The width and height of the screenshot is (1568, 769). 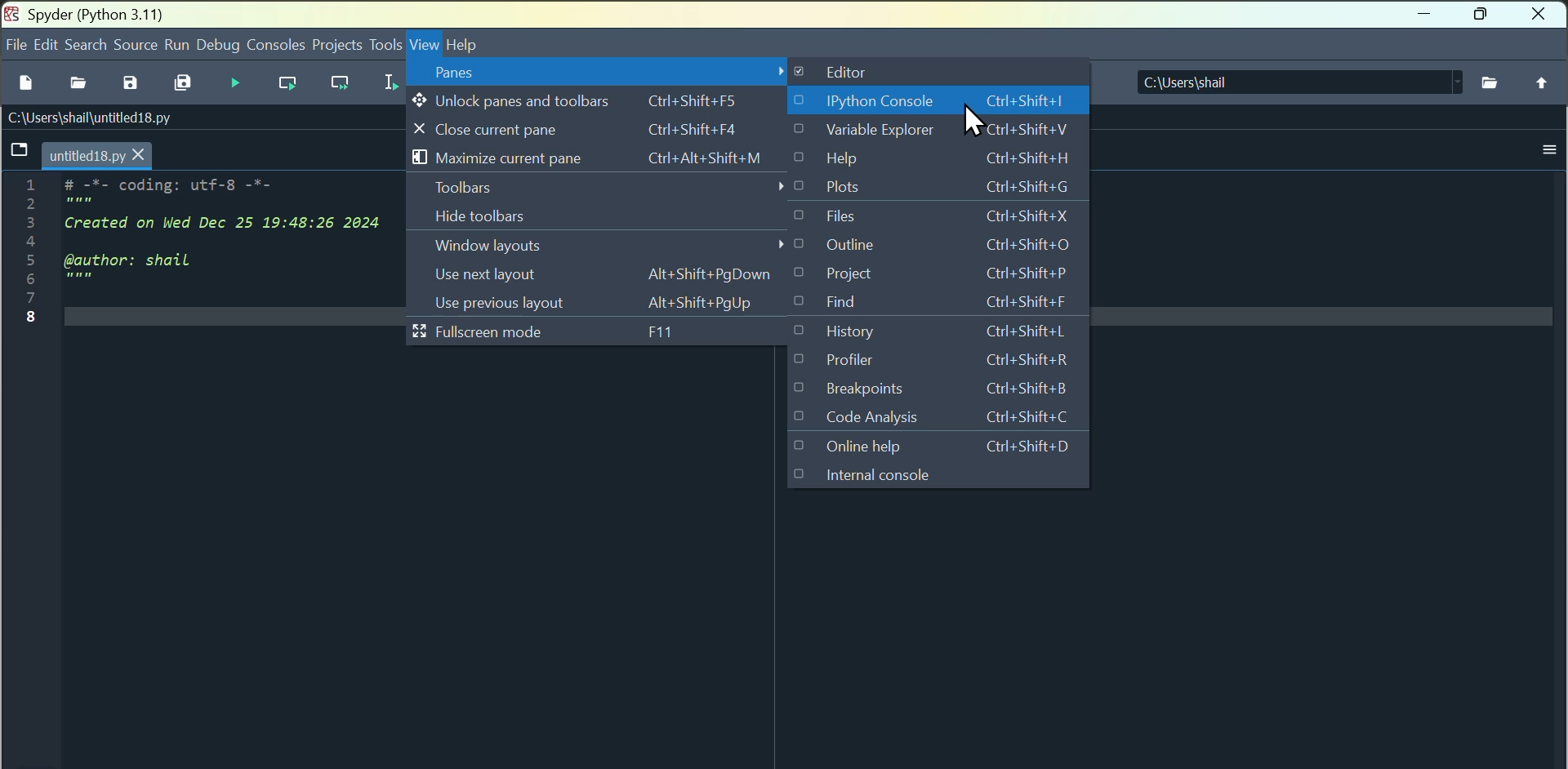 I want to click on History, so click(x=924, y=333).